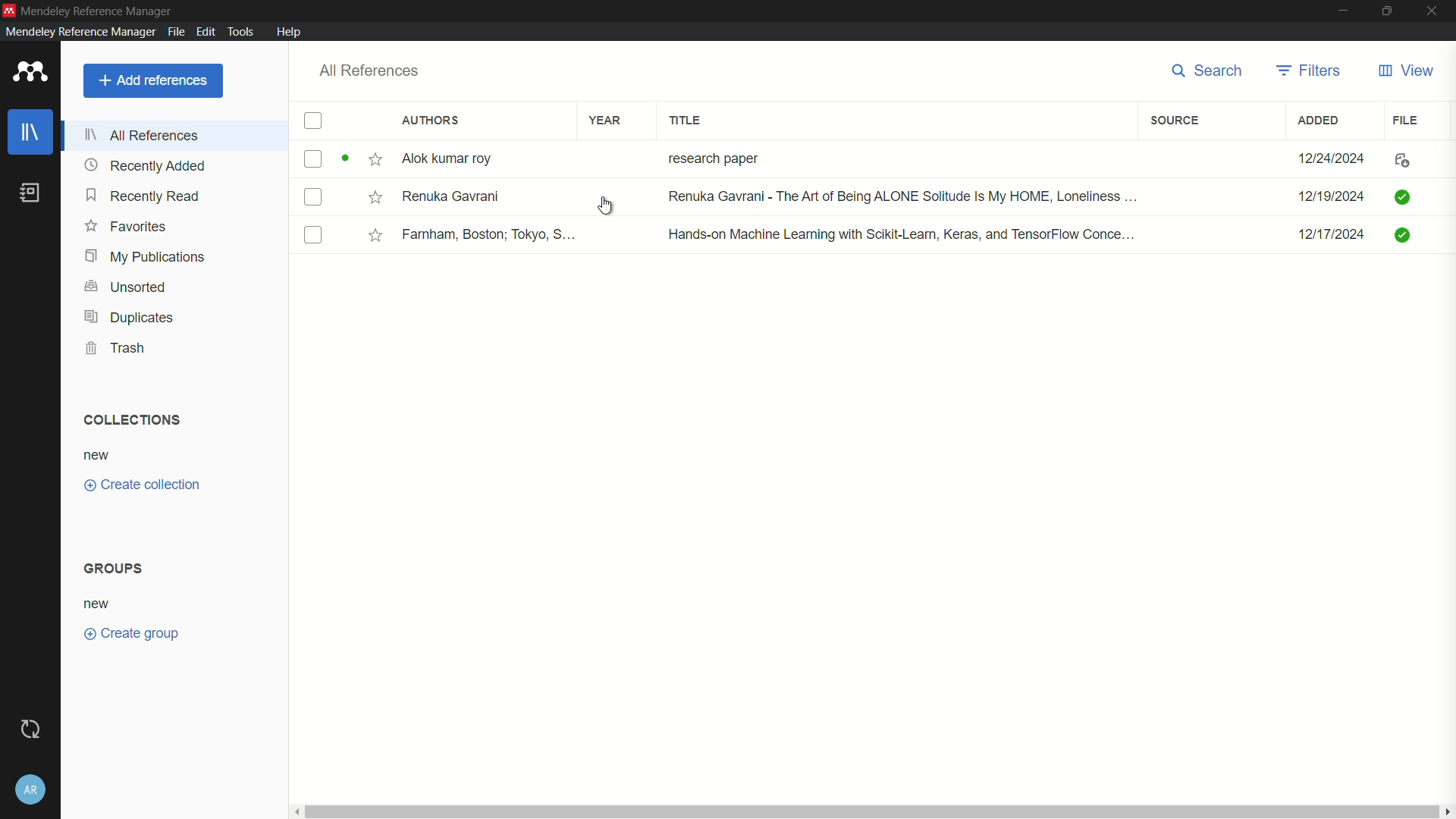  I want to click on app icon, so click(30, 71).